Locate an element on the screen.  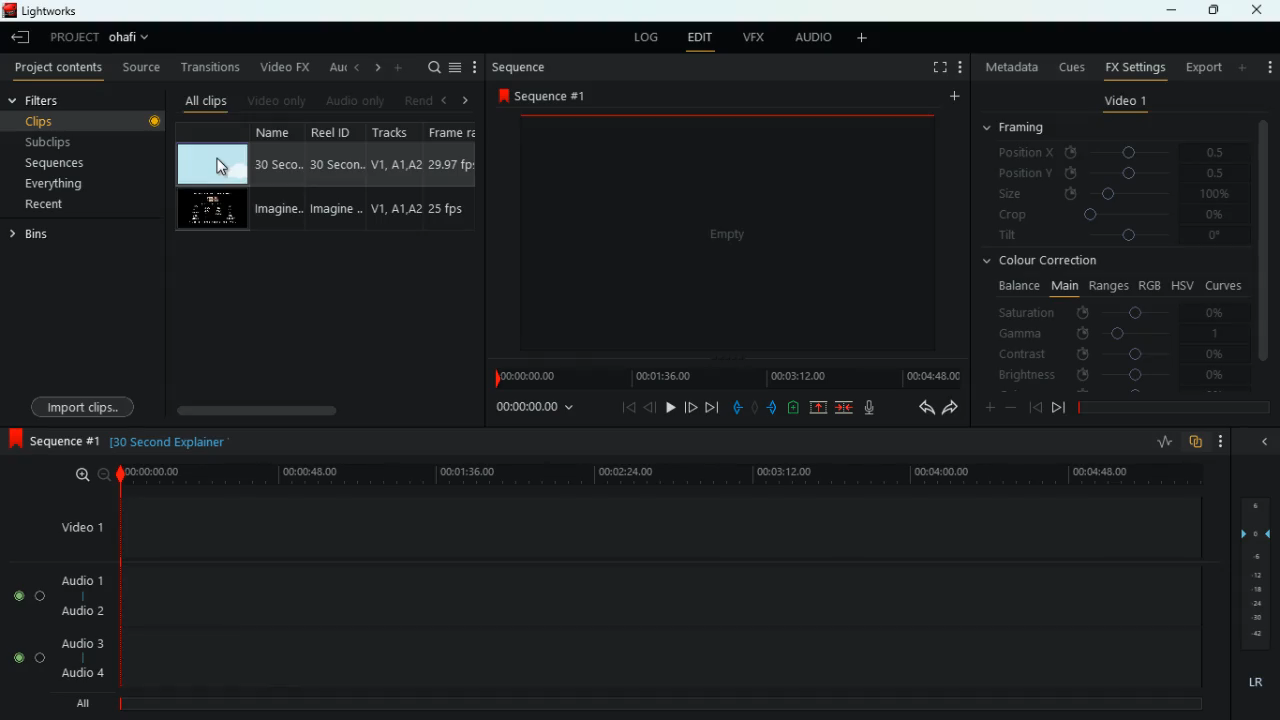
project contents is located at coordinates (60, 68).